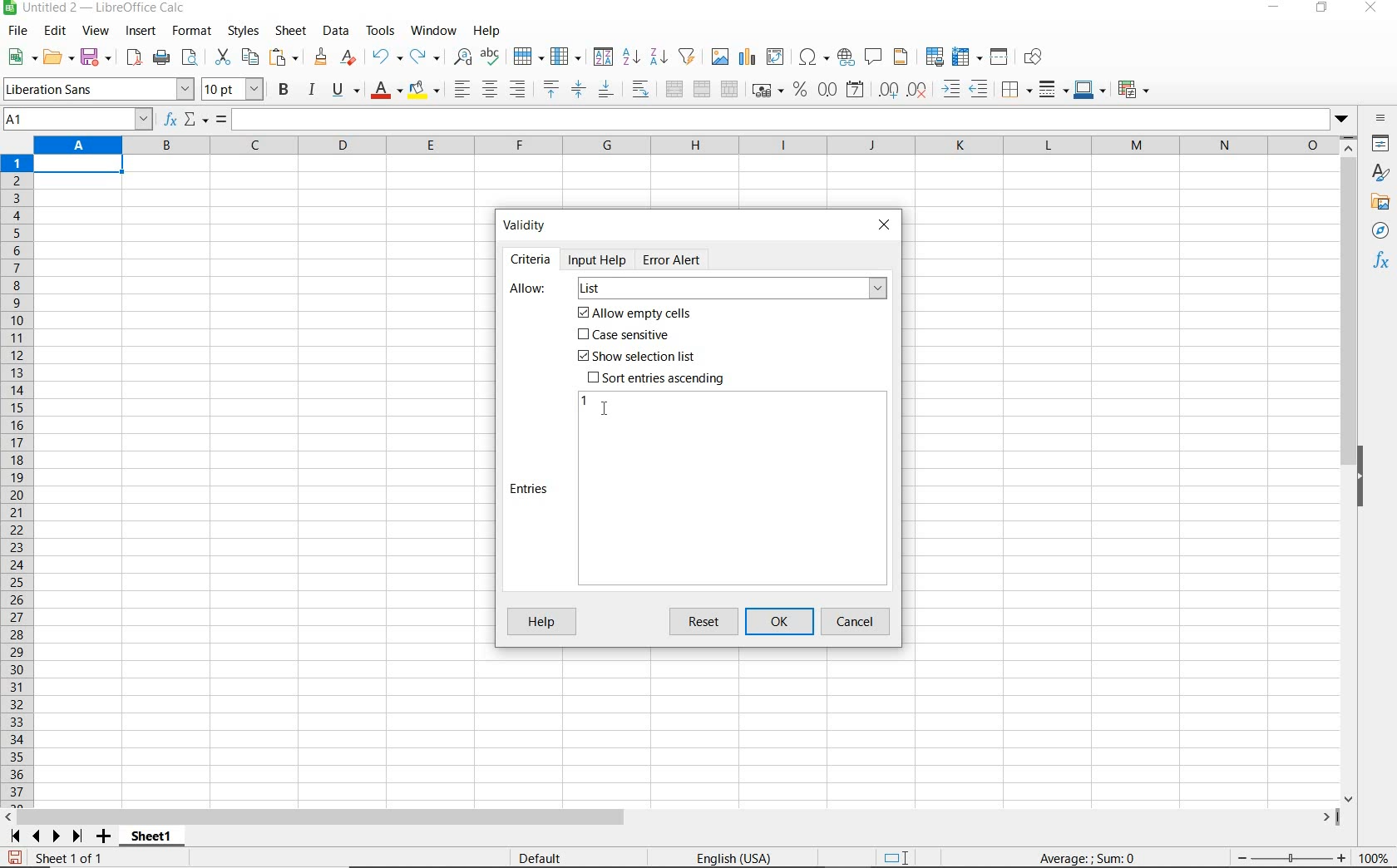 Image resolution: width=1397 pixels, height=868 pixels. Describe the element at coordinates (388, 90) in the screenshot. I see `font color` at that location.